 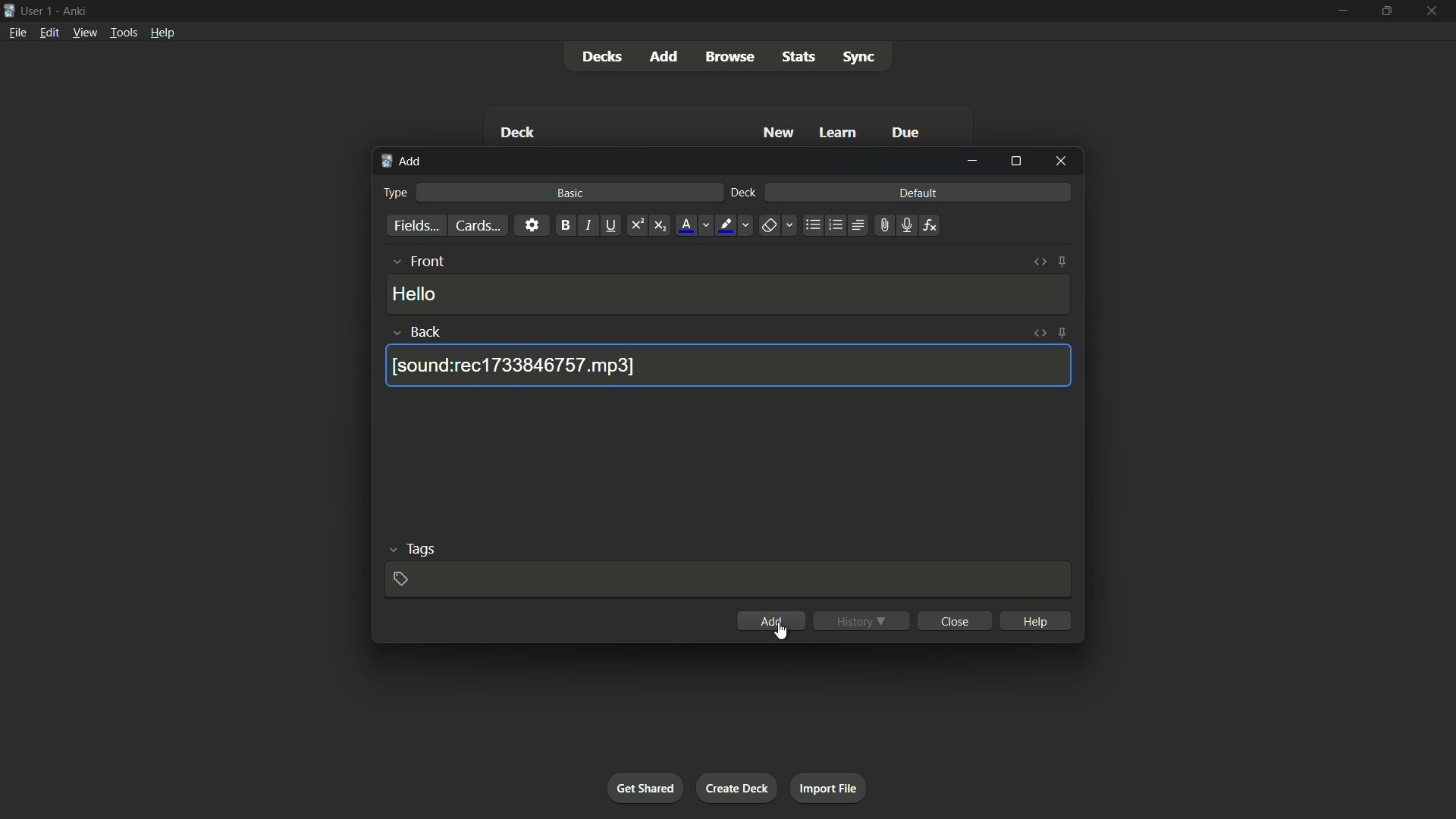 What do you see at coordinates (518, 132) in the screenshot?
I see `deck` at bounding box center [518, 132].